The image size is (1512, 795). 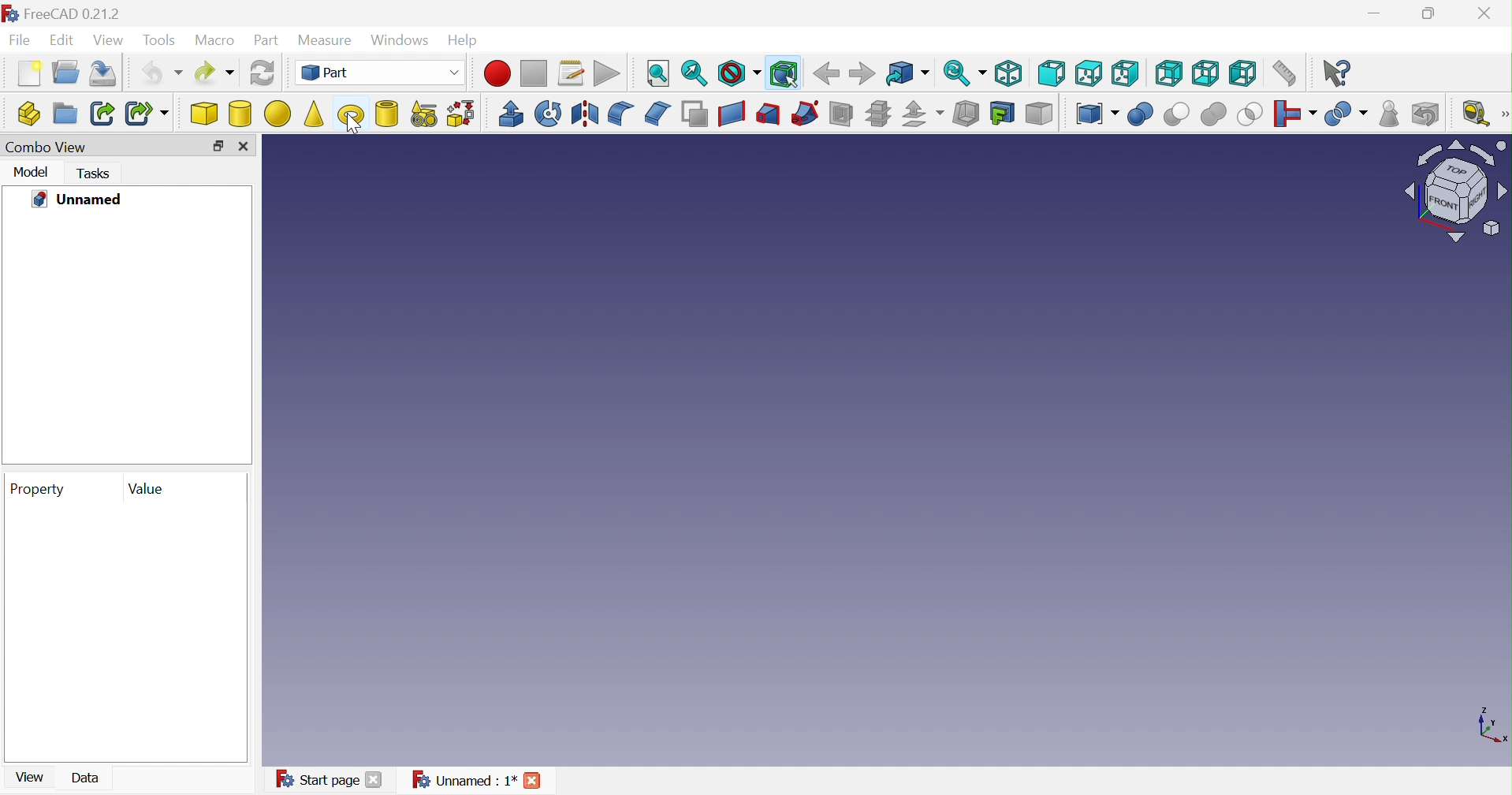 I want to click on Macro recording, so click(x=497, y=73).